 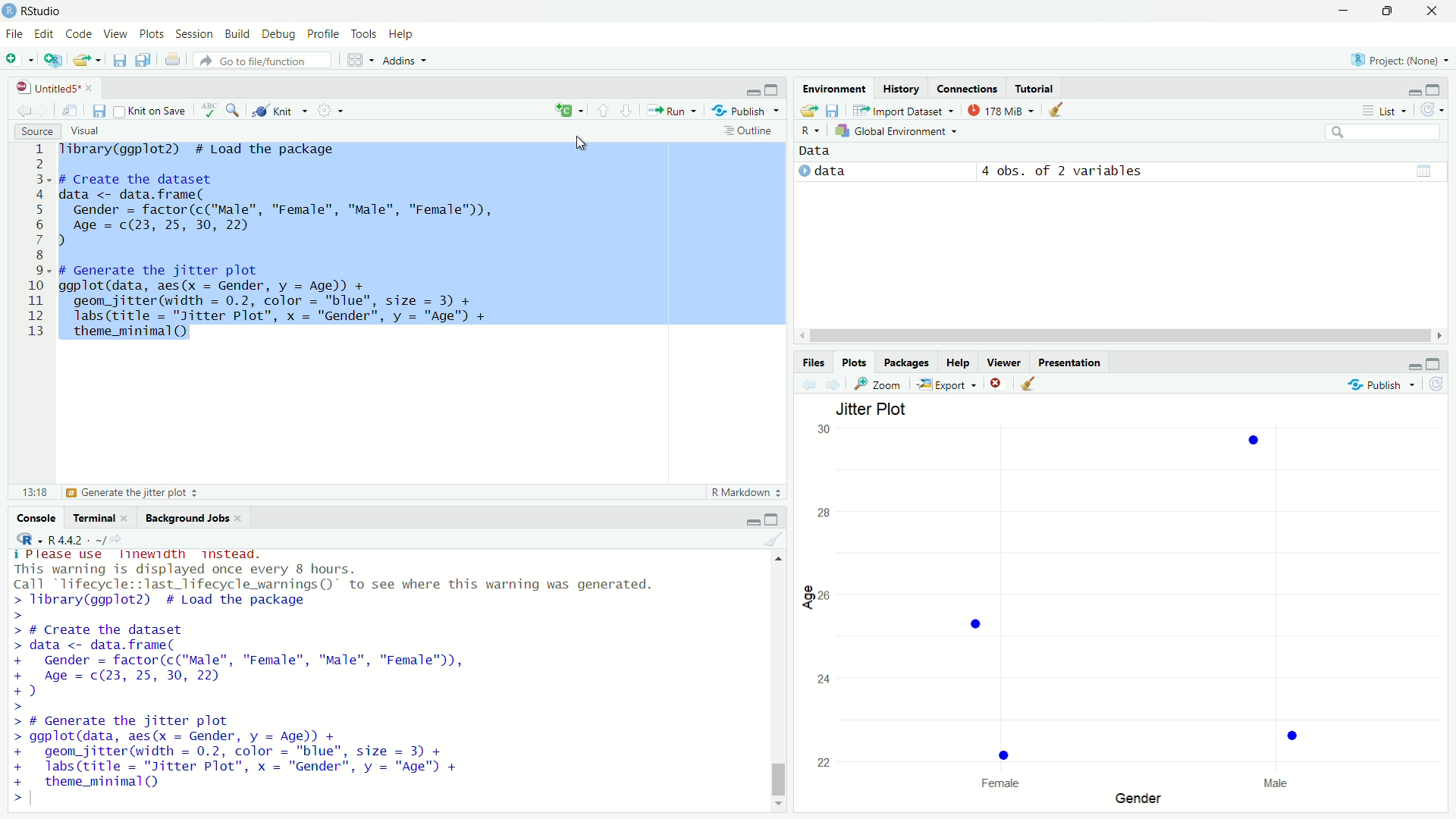 I want to click on go back to the previous source location, so click(x=17, y=108).